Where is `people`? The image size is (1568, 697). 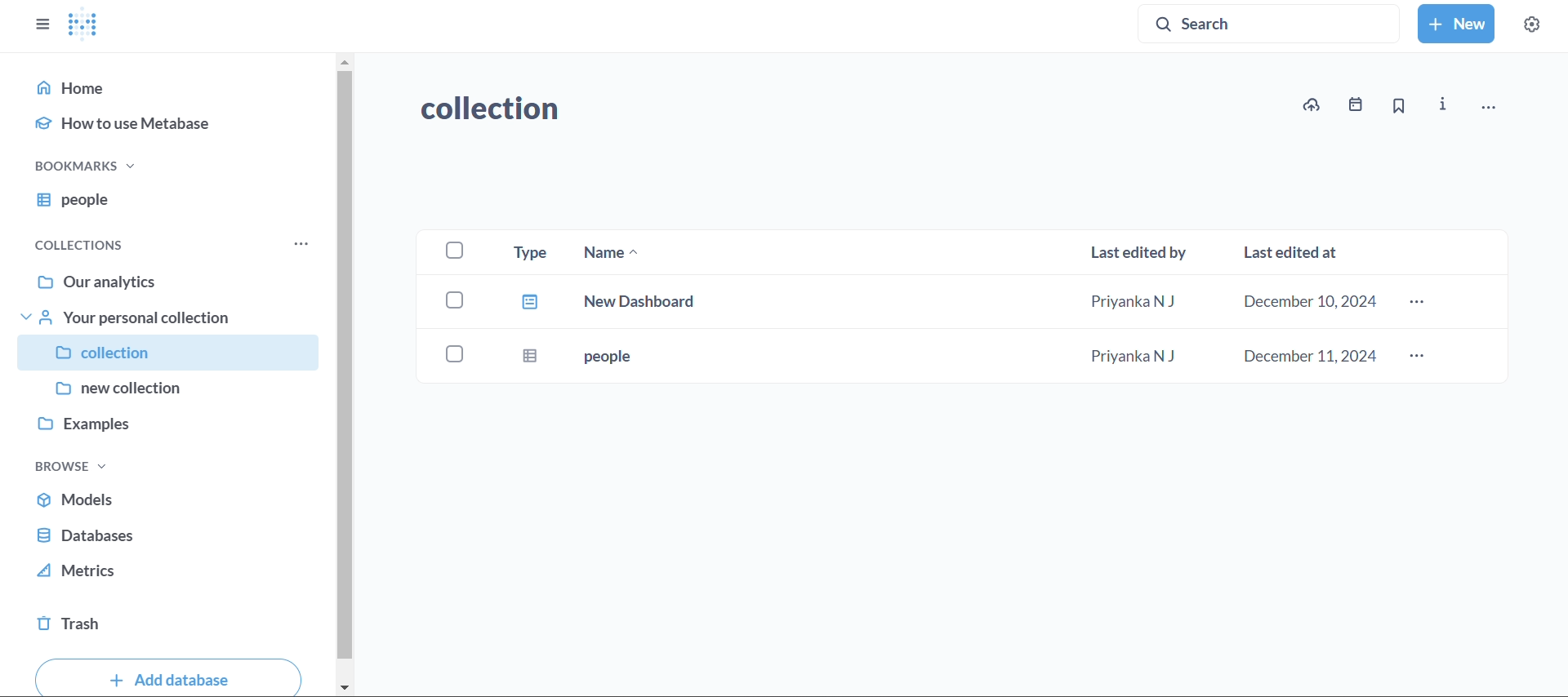
people is located at coordinates (616, 357).